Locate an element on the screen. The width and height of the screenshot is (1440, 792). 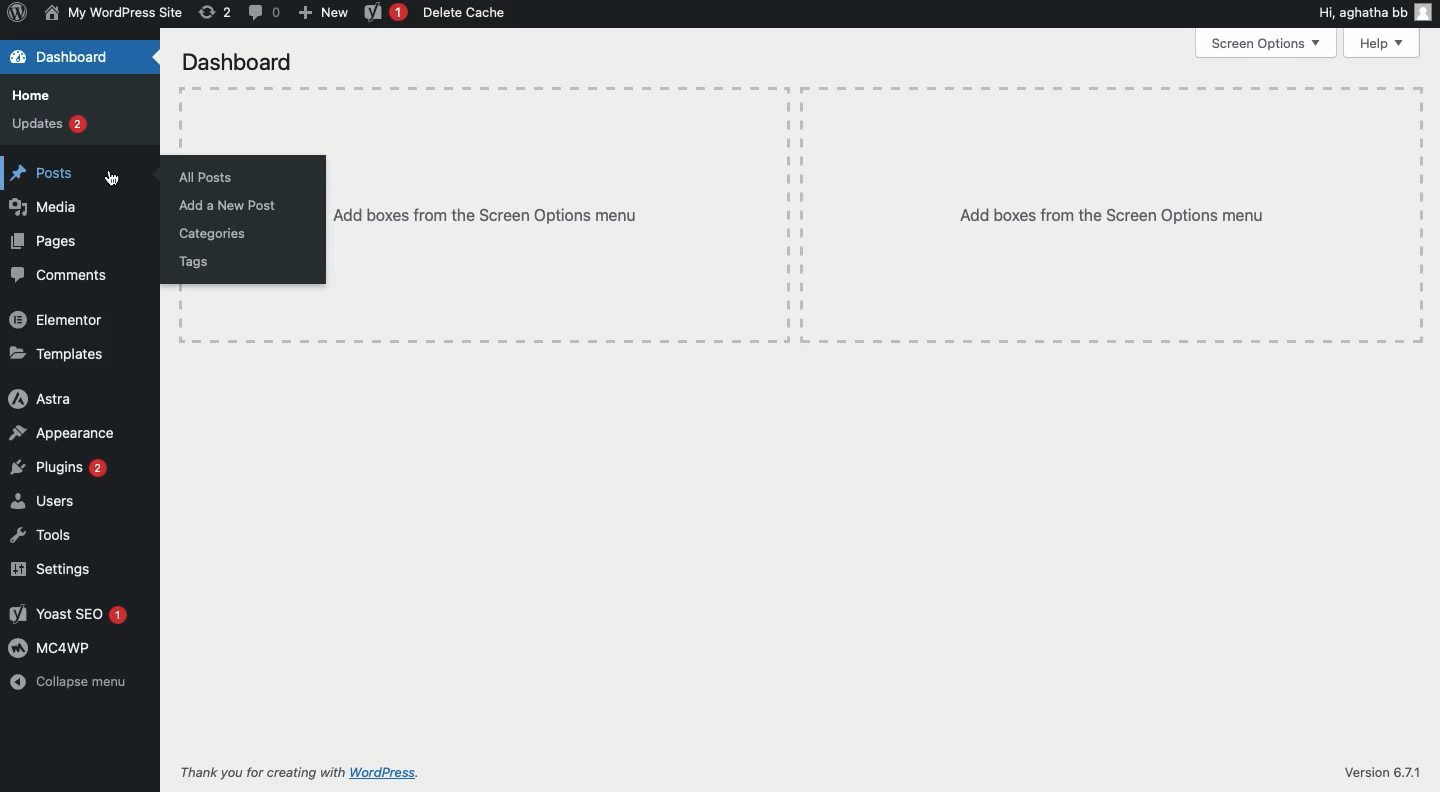
MC4WP is located at coordinates (51, 647).